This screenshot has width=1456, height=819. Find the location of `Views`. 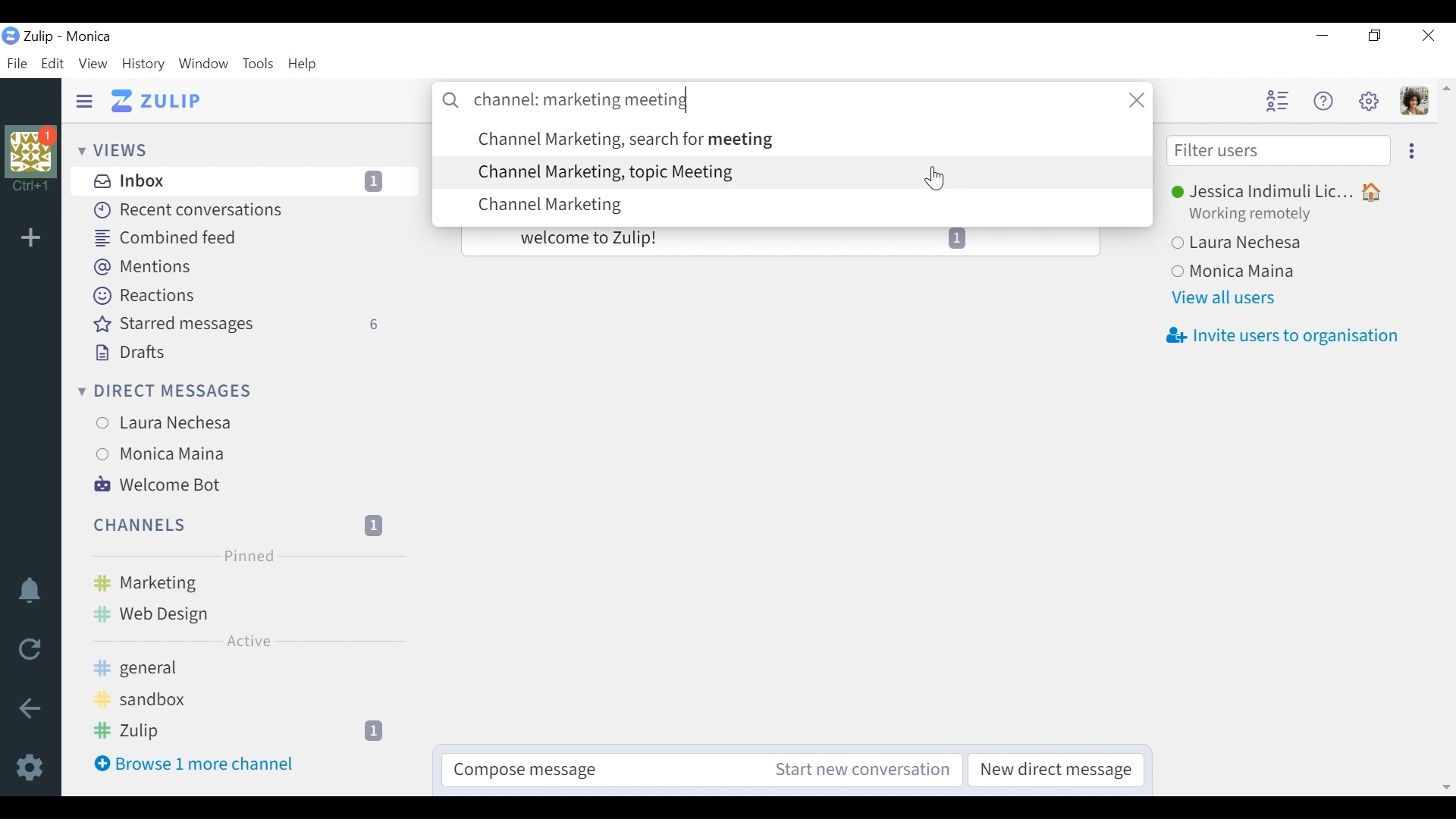

Views is located at coordinates (115, 149).